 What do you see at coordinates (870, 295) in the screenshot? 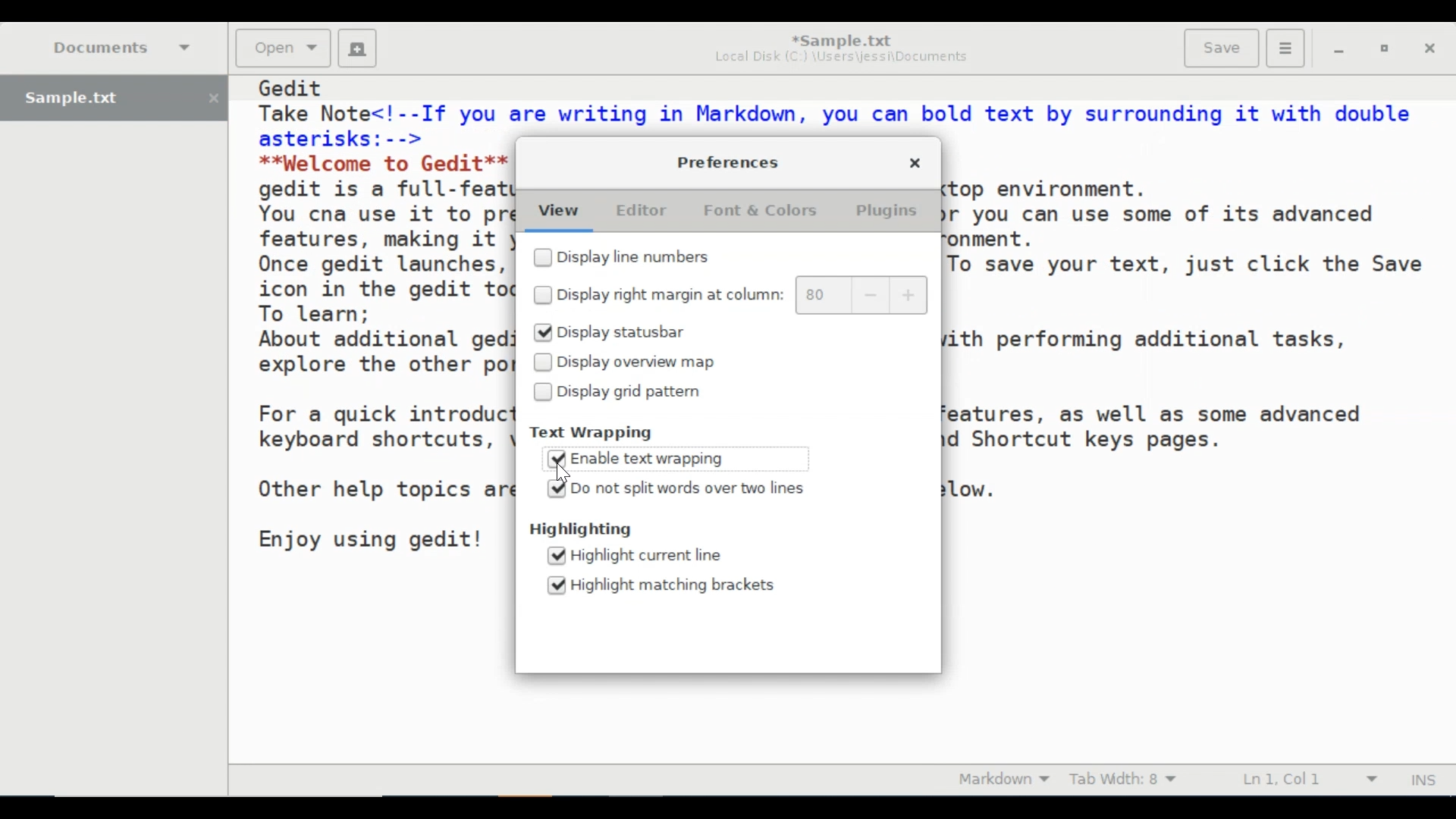
I see `decrease margin ` at bounding box center [870, 295].